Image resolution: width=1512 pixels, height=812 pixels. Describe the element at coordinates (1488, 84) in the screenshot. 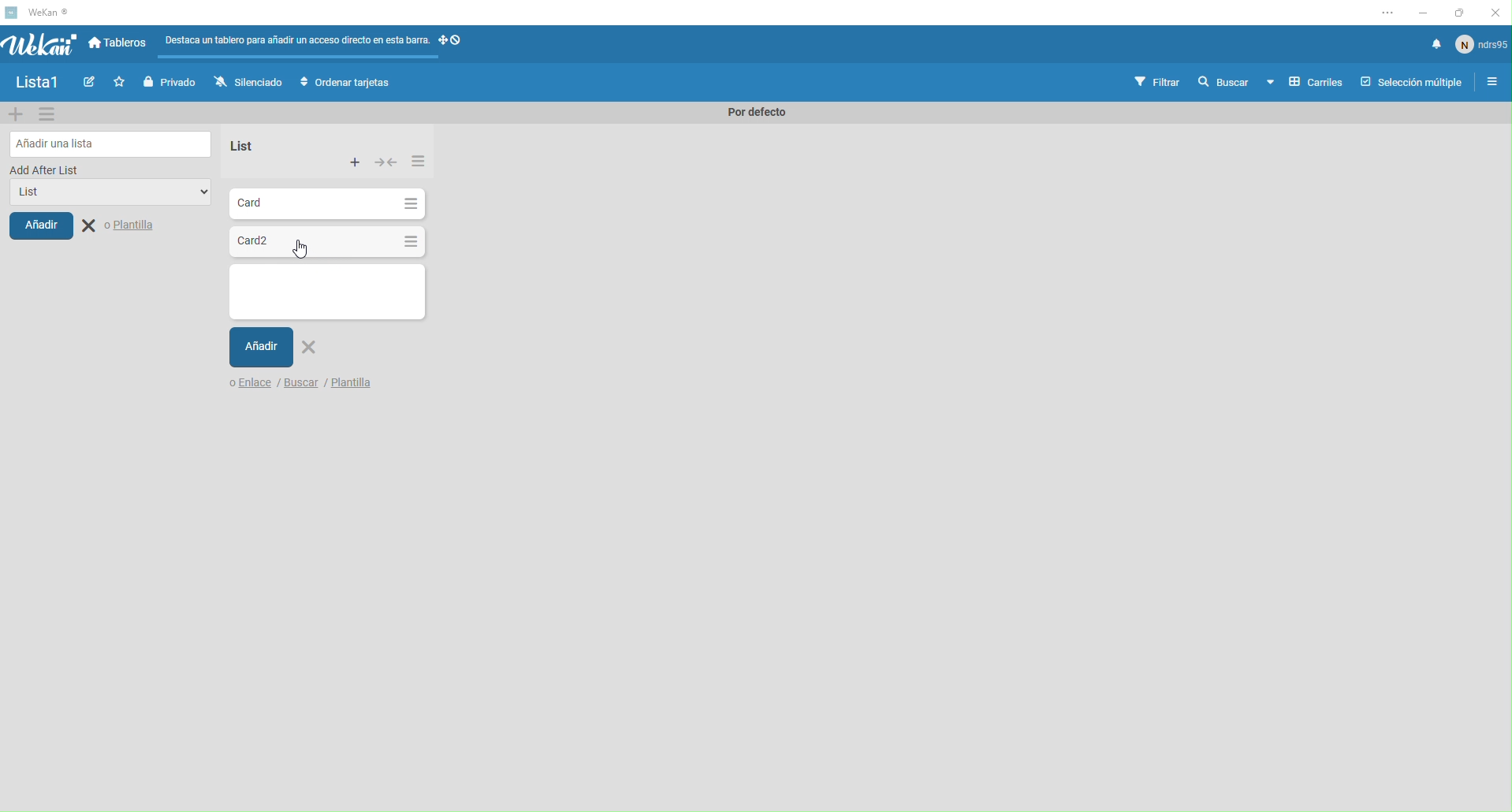

I see `opciones` at that location.